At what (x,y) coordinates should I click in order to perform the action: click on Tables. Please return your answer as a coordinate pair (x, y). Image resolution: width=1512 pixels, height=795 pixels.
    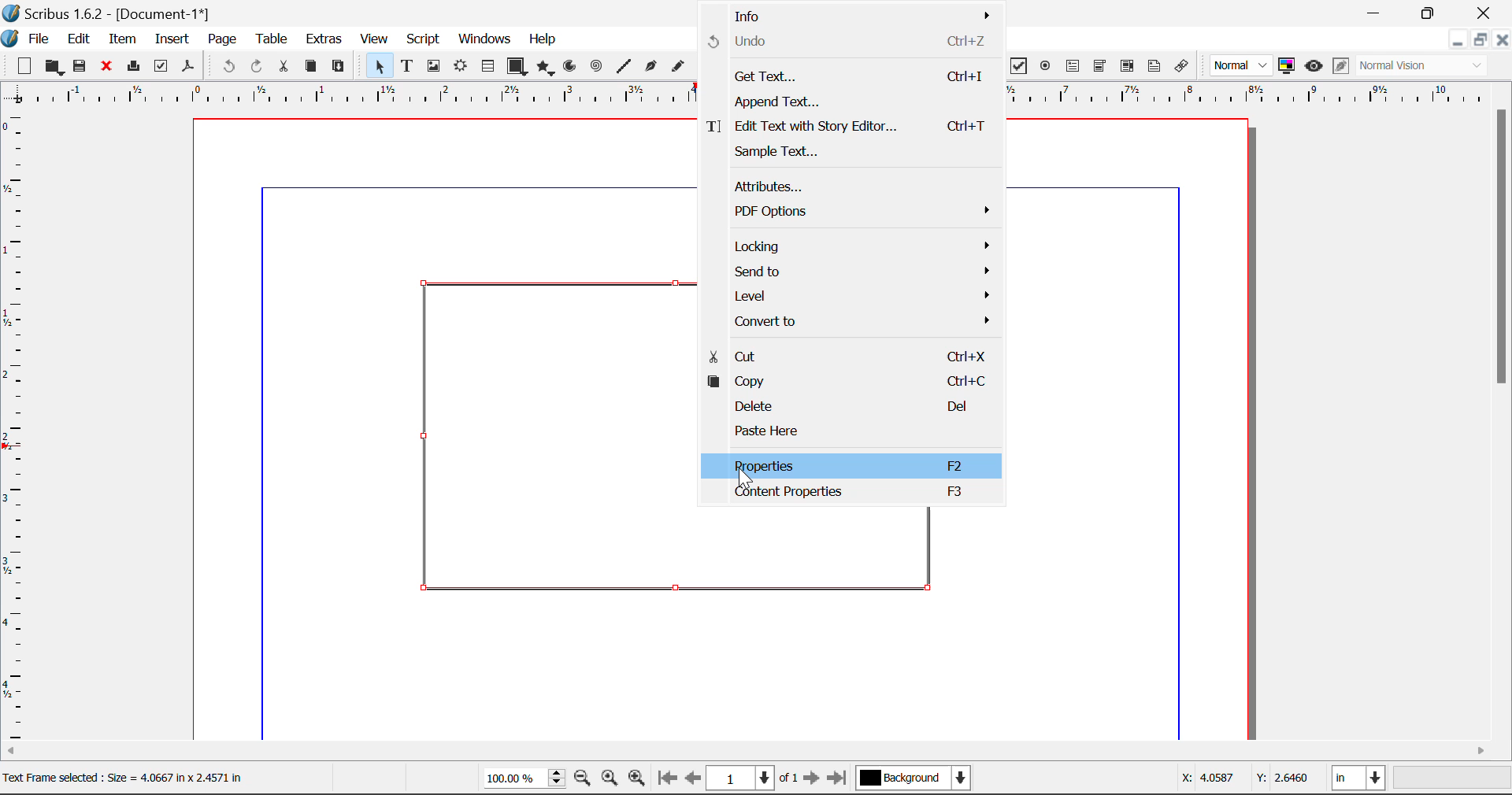
    Looking at the image, I should click on (487, 66).